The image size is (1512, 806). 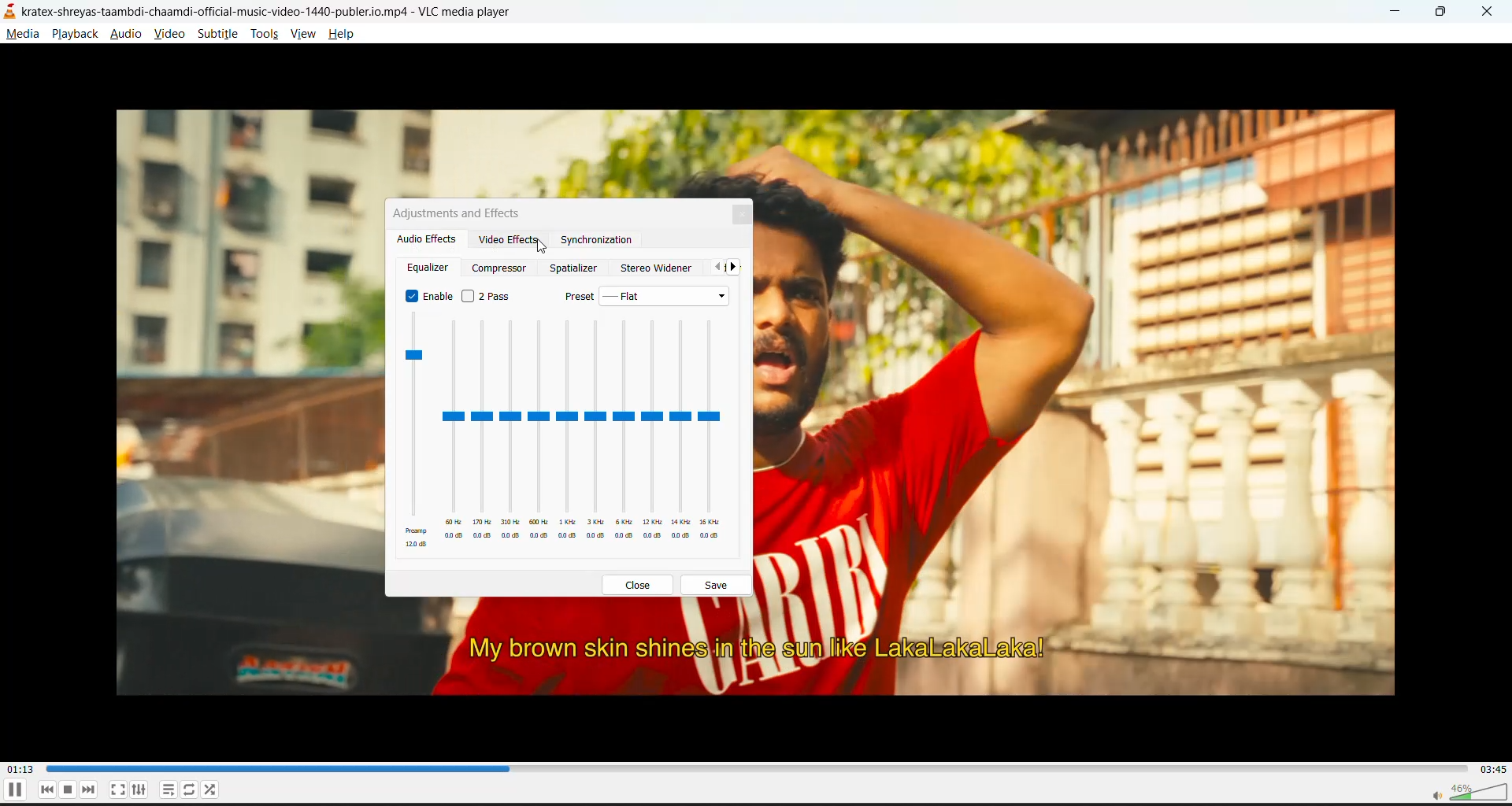 What do you see at coordinates (75, 34) in the screenshot?
I see `playback` at bounding box center [75, 34].